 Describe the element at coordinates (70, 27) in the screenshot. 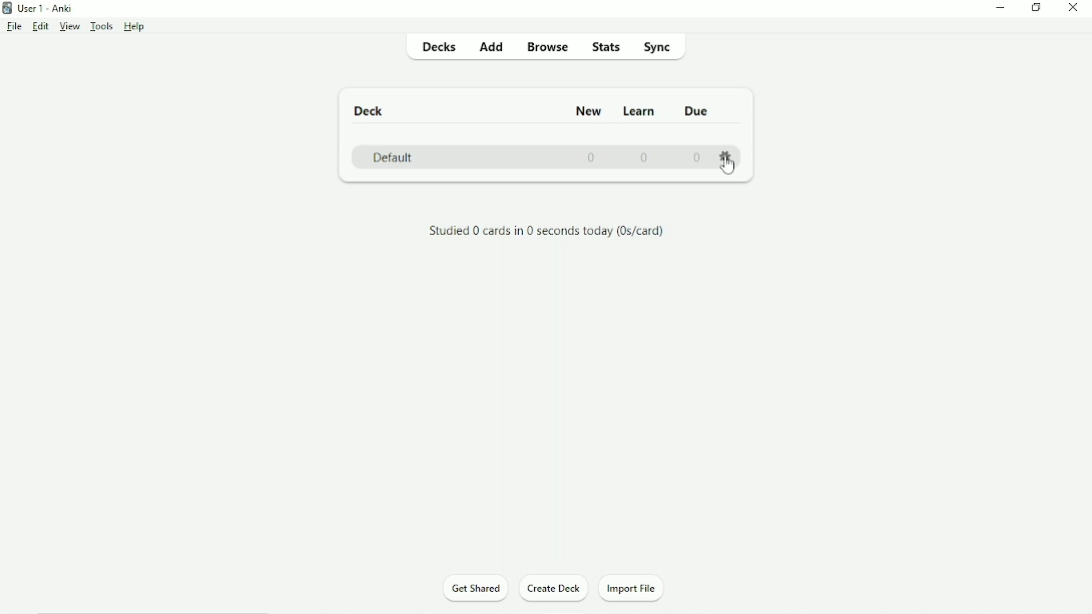

I see `View` at that location.